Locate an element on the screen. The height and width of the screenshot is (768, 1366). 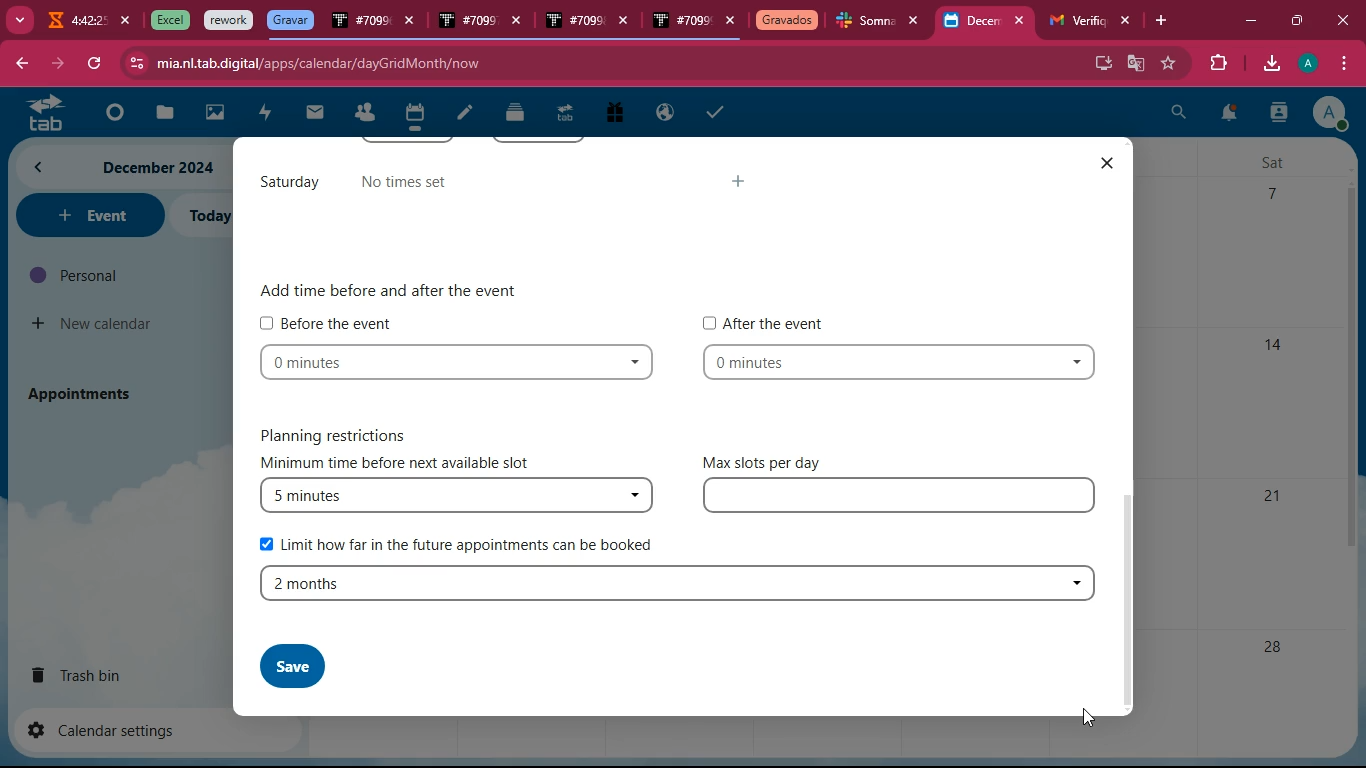
search is located at coordinates (1179, 115).